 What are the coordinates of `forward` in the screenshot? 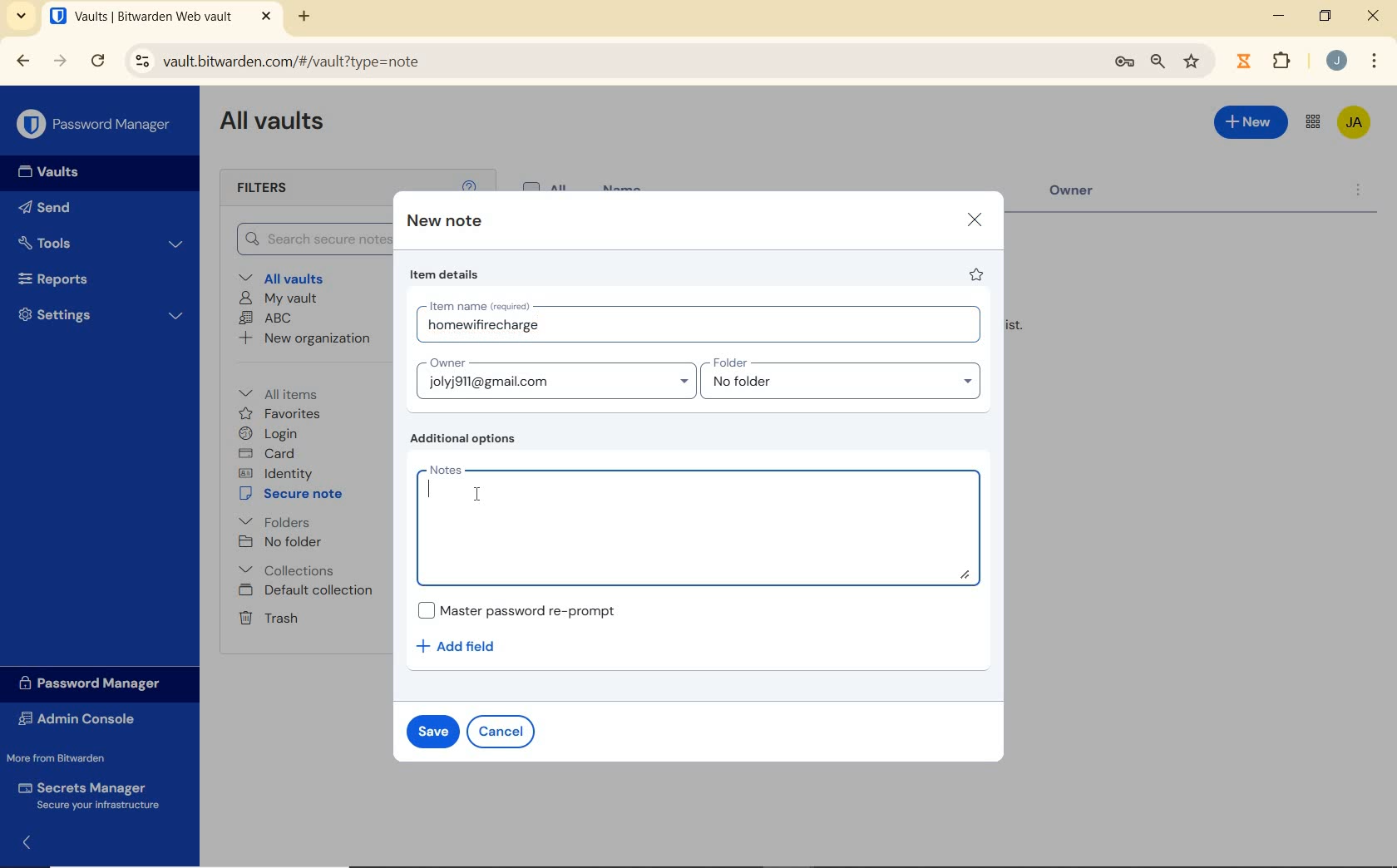 It's located at (60, 61).